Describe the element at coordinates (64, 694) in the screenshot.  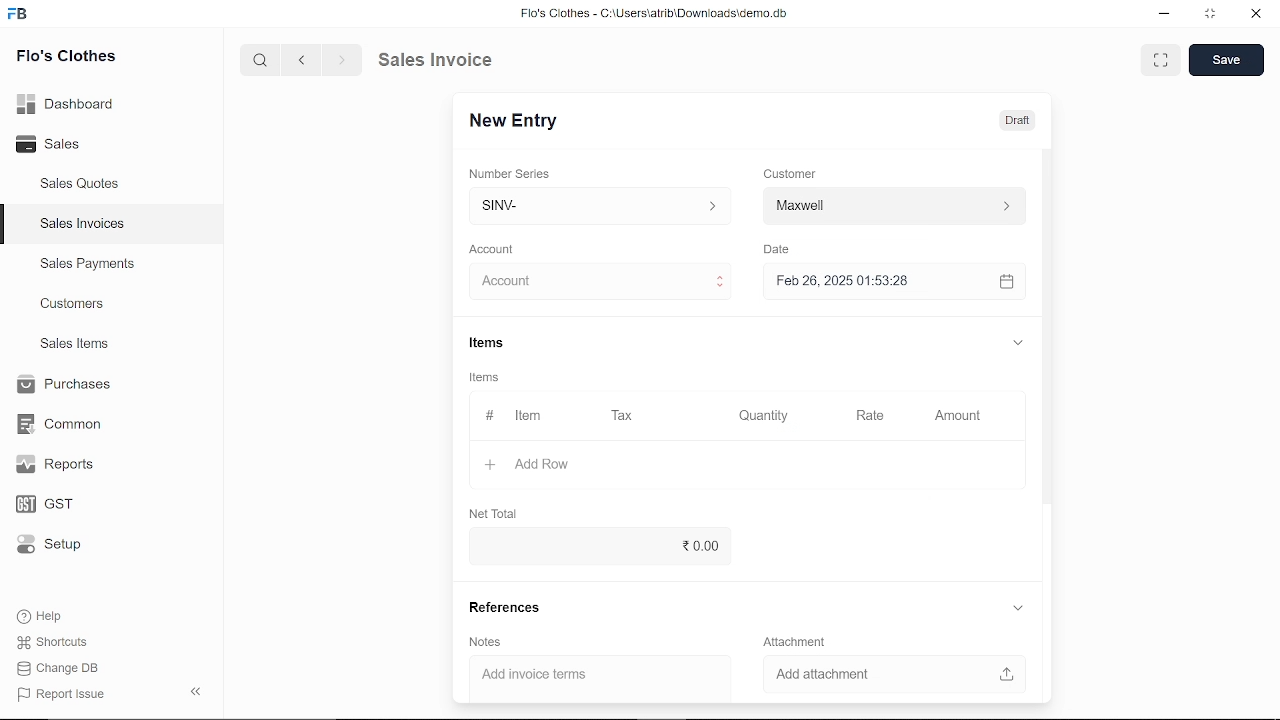
I see `| Report Issue:` at that location.